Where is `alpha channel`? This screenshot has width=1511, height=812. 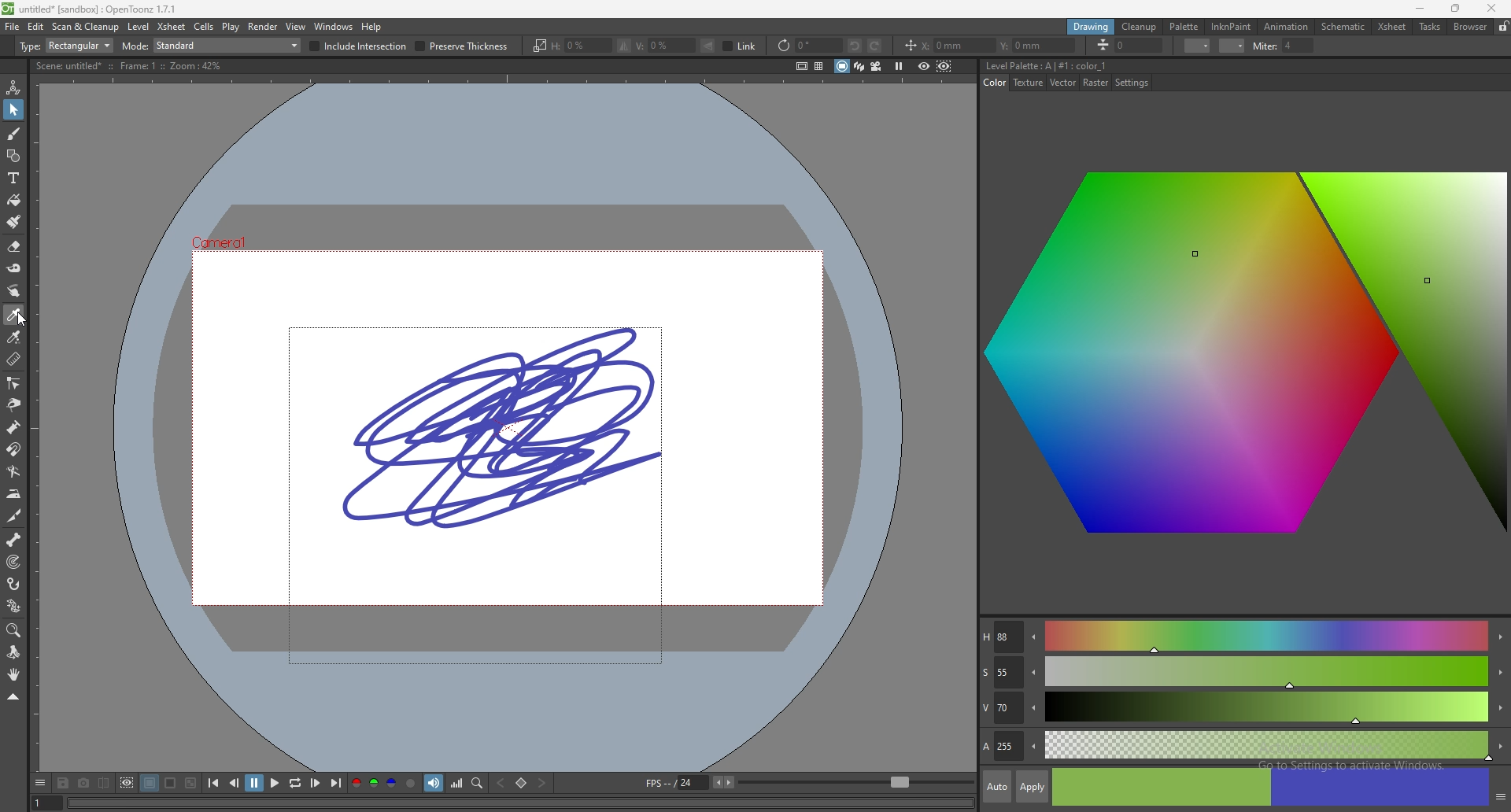
alpha channel is located at coordinates (411, 783).